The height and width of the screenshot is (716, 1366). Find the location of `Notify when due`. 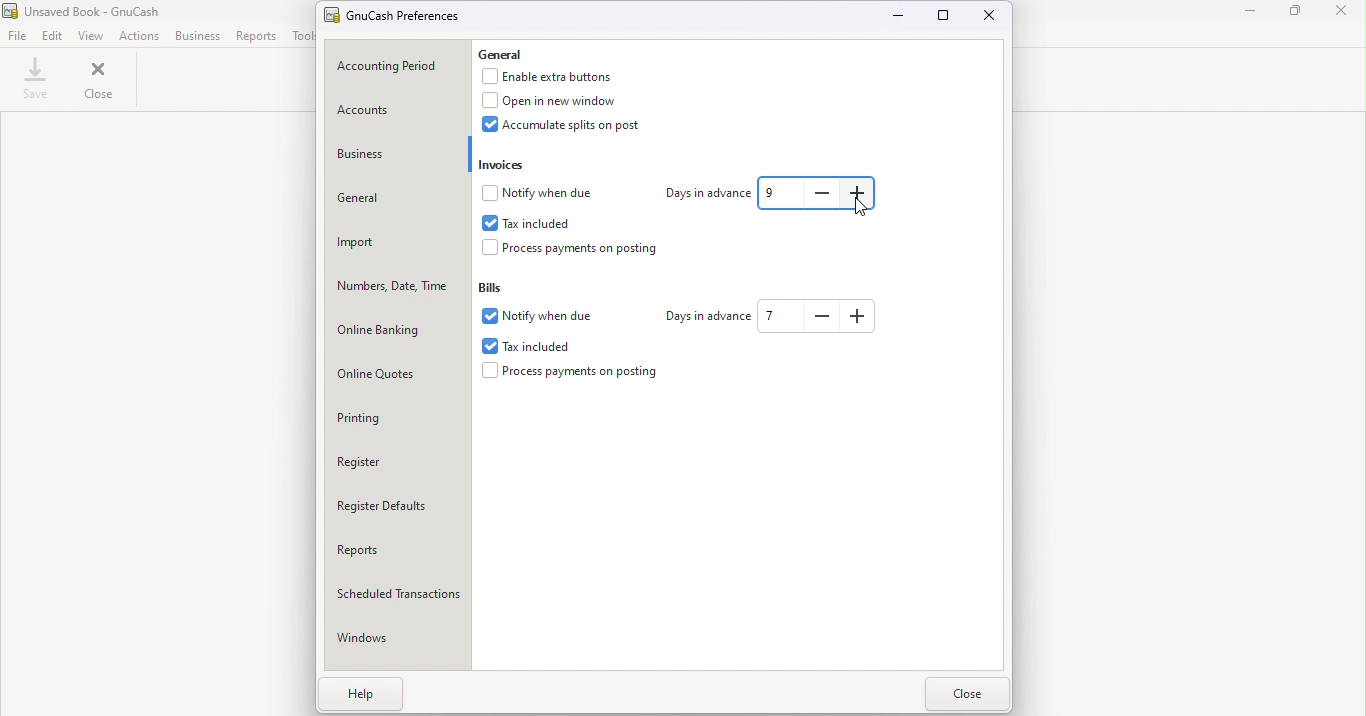

Notify when due is located at coordinates (545, 193).